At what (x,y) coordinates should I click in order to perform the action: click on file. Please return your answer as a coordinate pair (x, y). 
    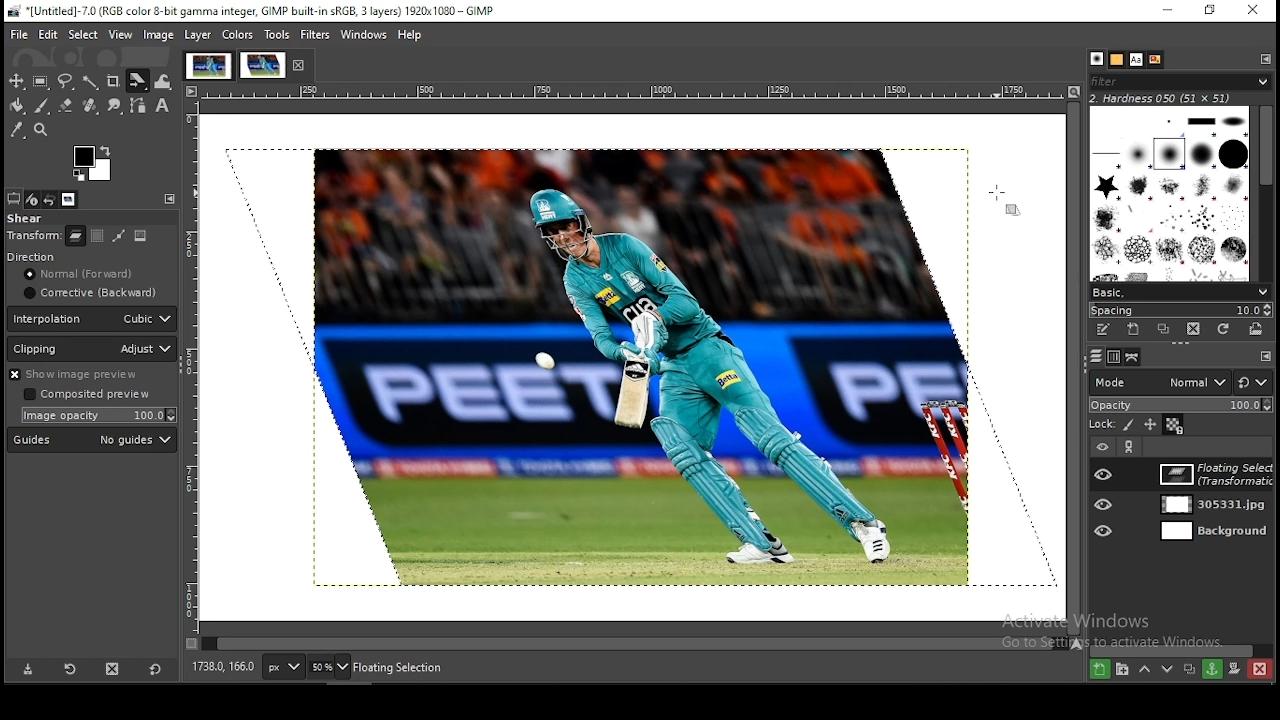
    Looking at the image, I should click on (21, 34).